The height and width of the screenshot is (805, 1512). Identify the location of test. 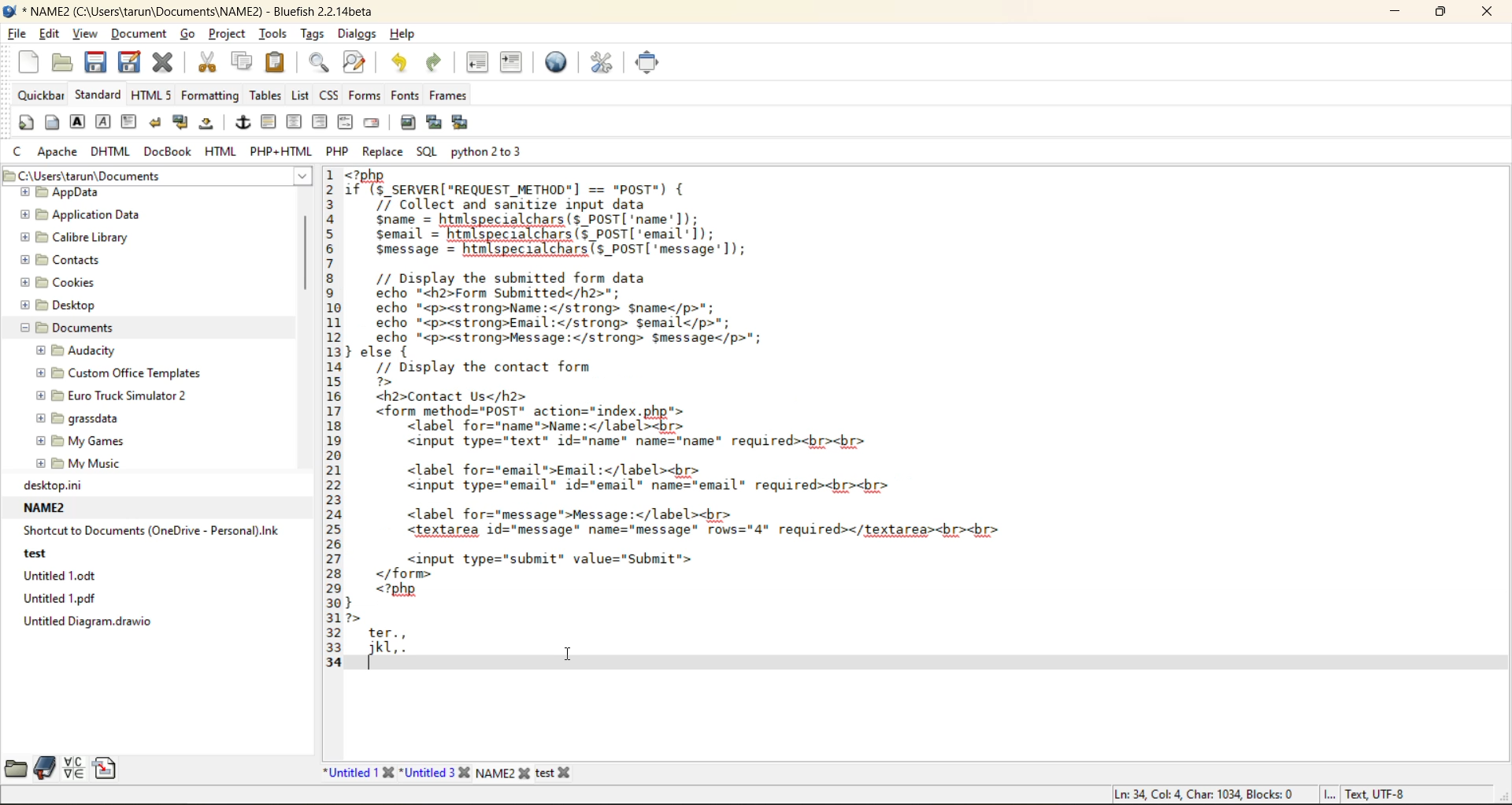
(34, 555).